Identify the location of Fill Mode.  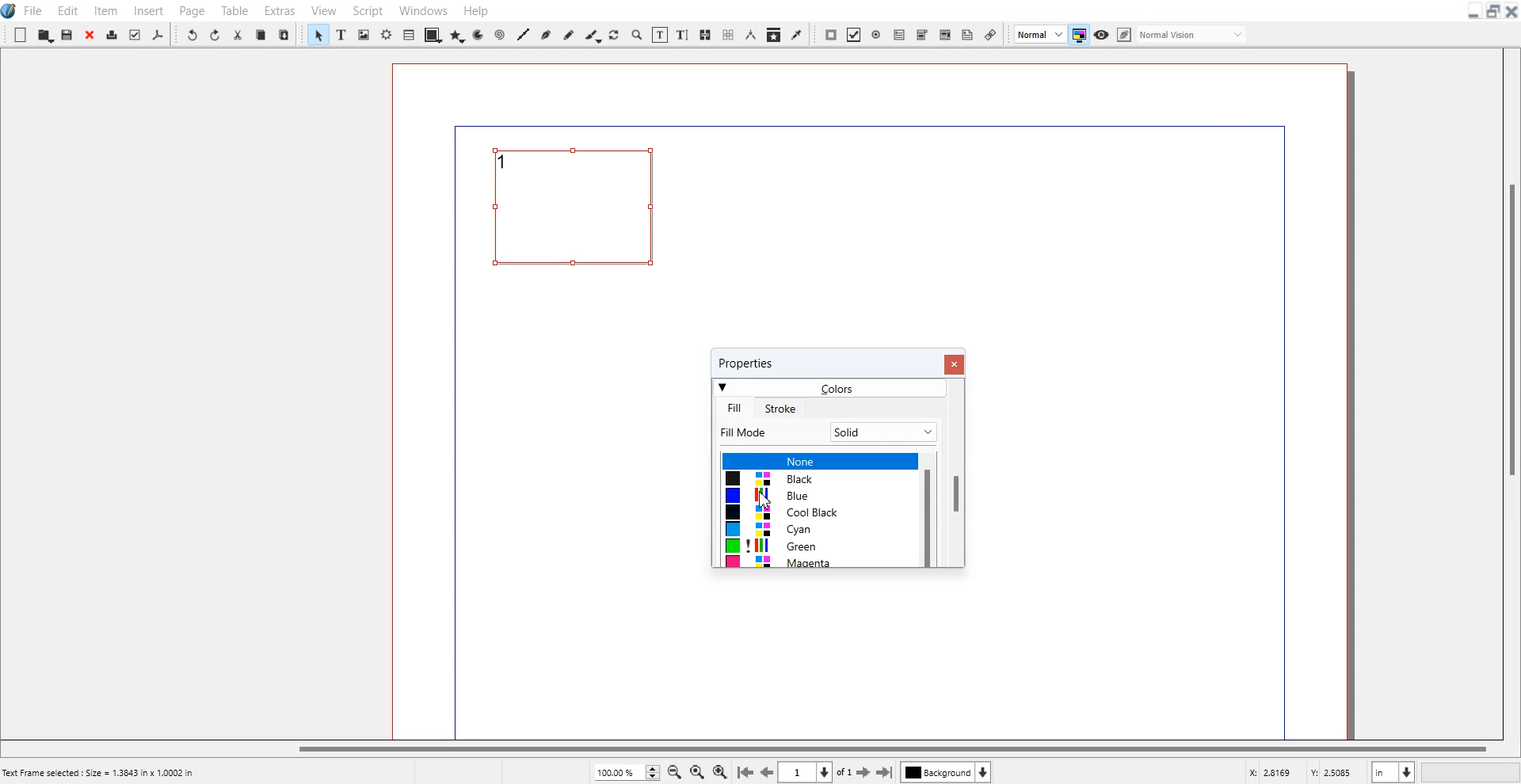
(828, 432).